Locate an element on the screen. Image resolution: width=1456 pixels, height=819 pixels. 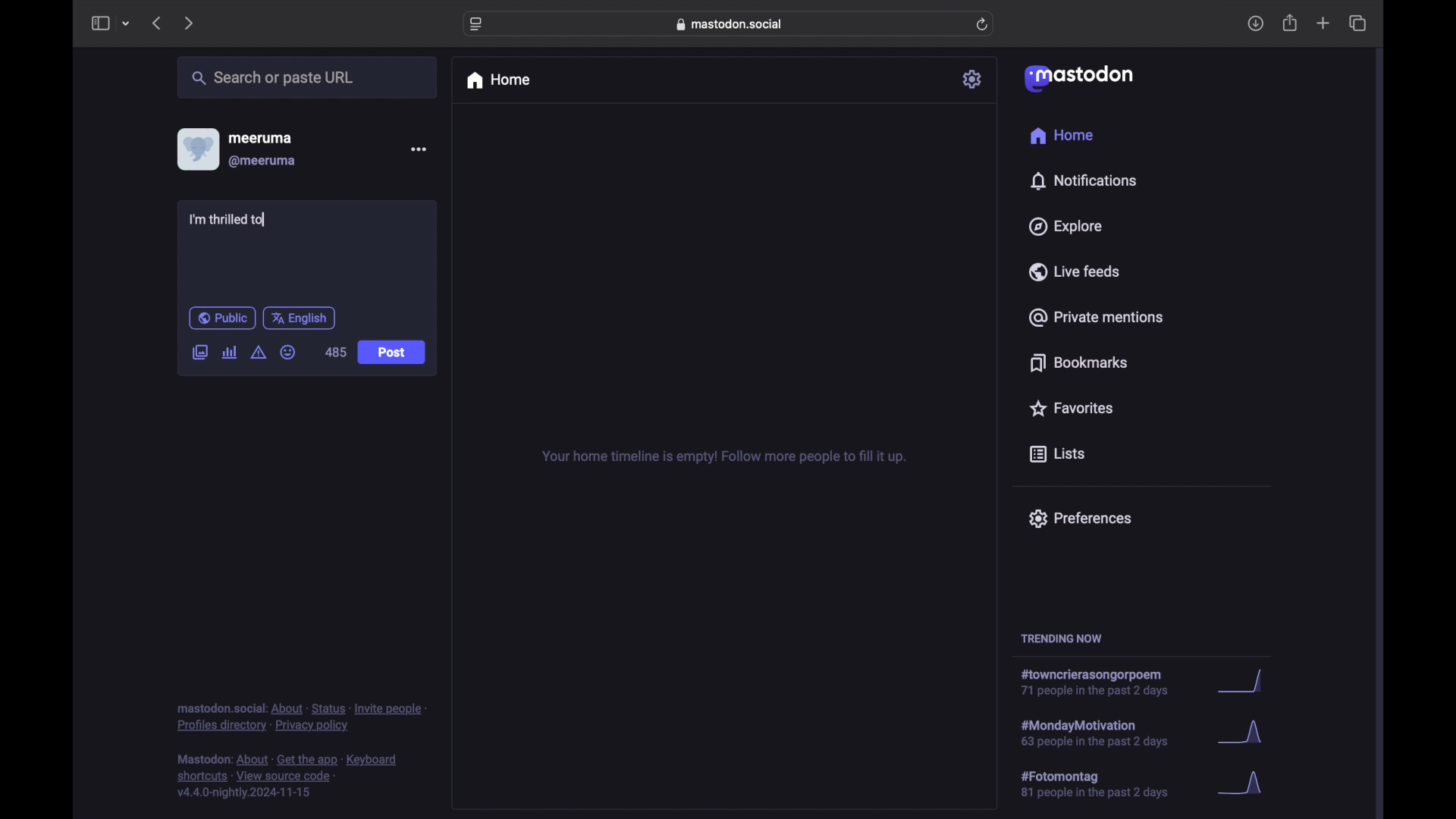
bookmarks is located at coordinates (1081, 362).